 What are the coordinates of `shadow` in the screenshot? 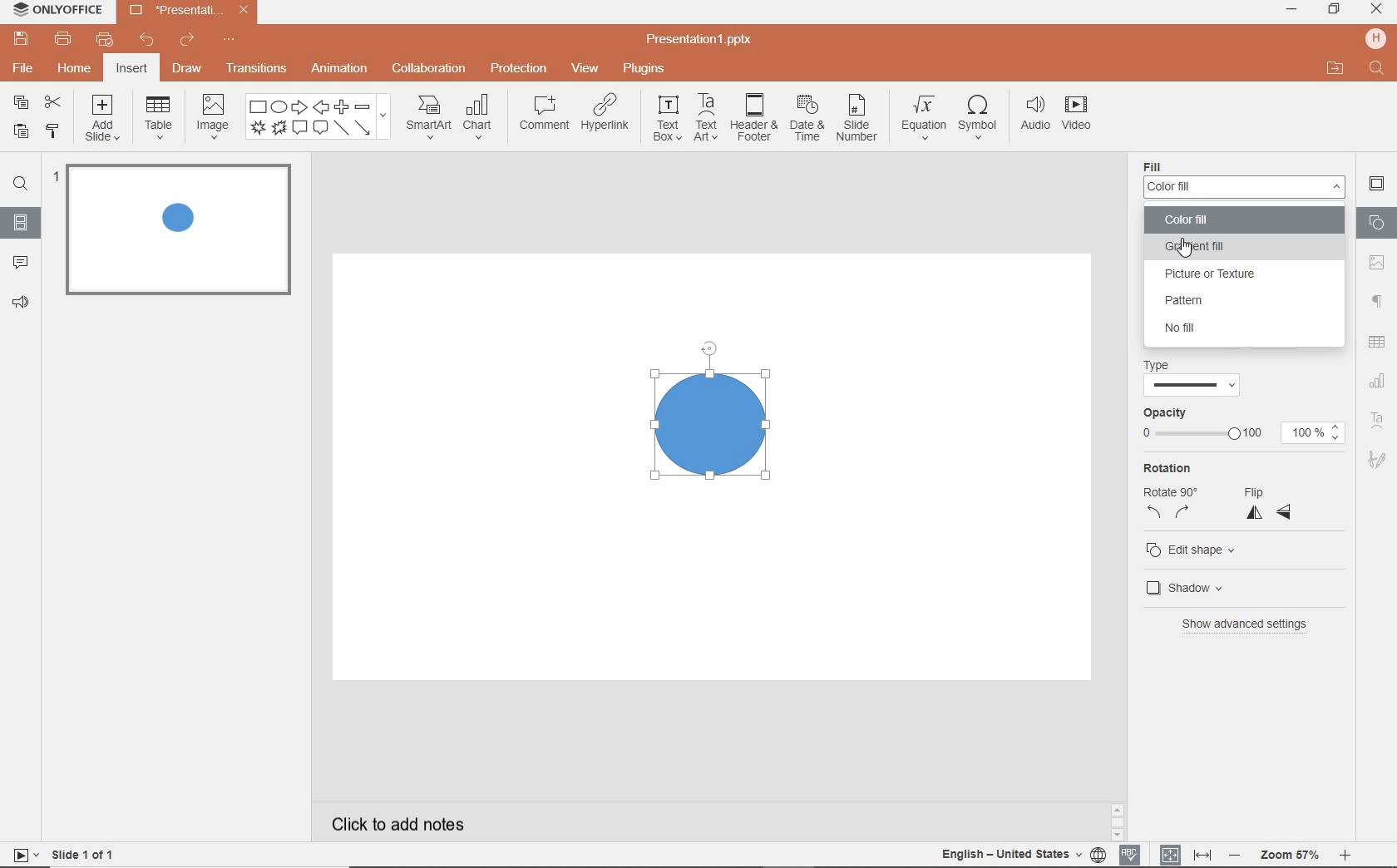 It's located at (1187, 586).